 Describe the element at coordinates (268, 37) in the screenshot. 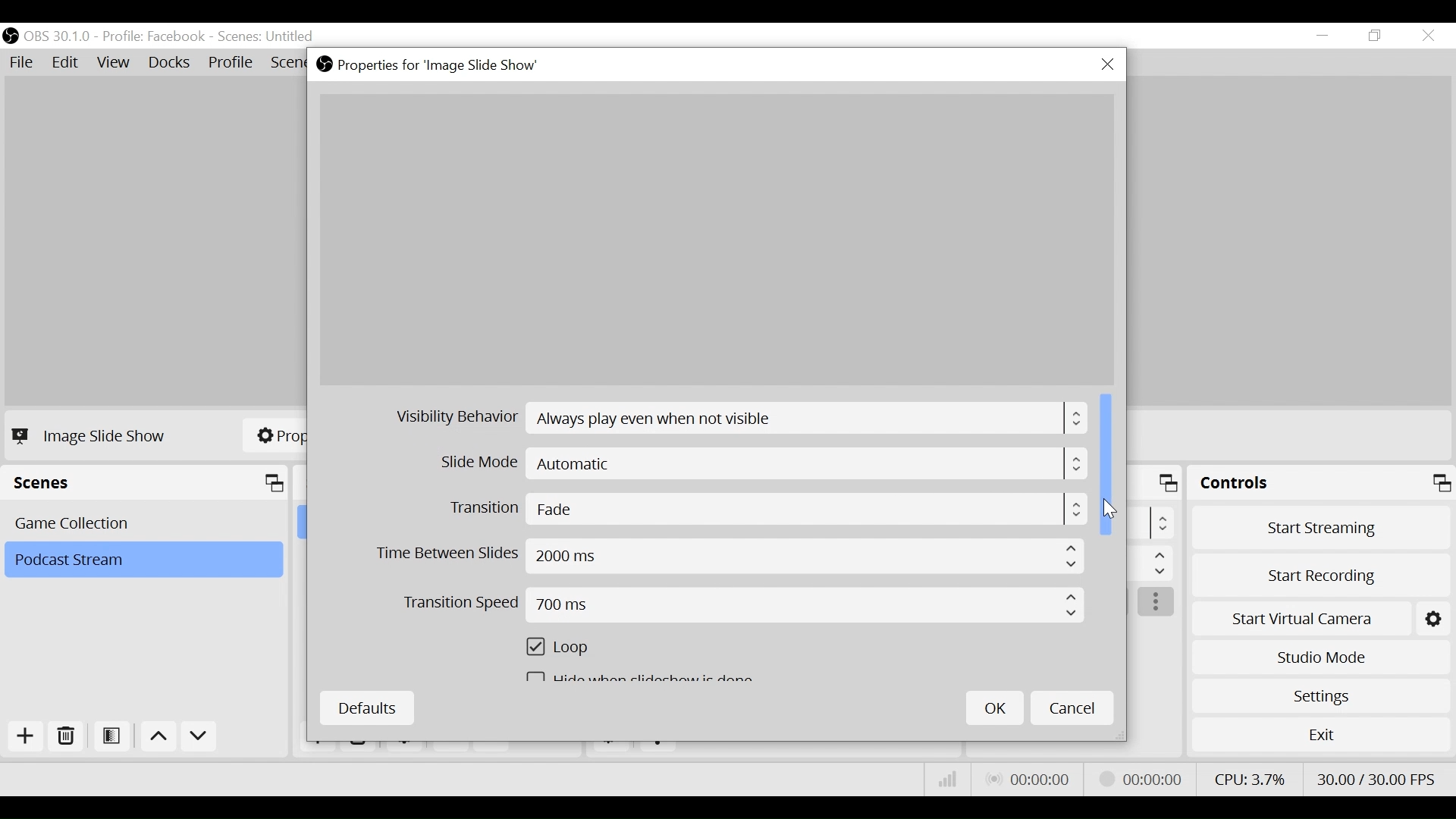

I see `Scene` at that location.